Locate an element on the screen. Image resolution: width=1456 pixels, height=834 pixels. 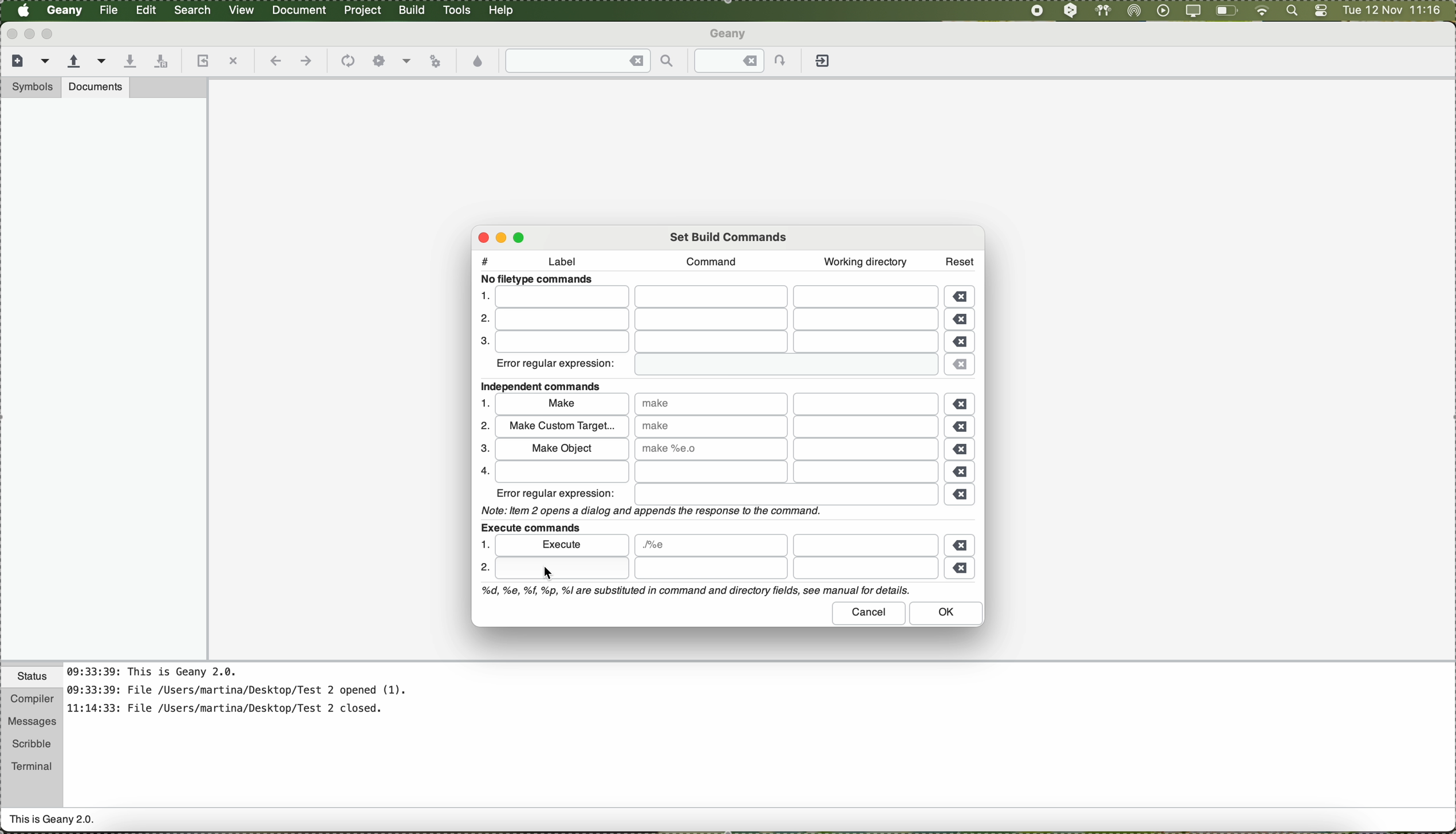
execute is located at coordinates (563, 544).